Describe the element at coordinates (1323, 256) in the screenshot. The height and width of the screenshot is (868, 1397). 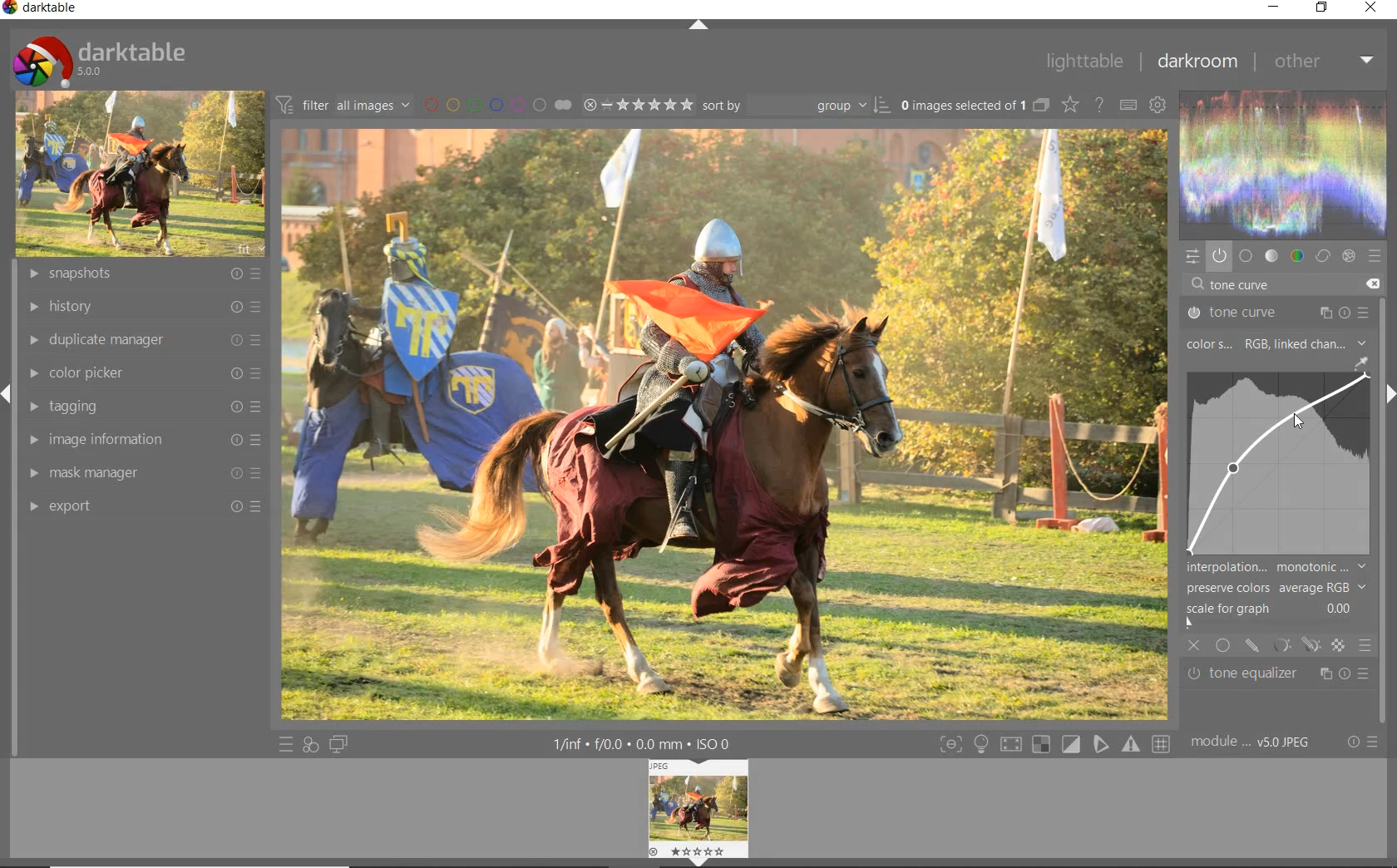
I see `correct` at that location.